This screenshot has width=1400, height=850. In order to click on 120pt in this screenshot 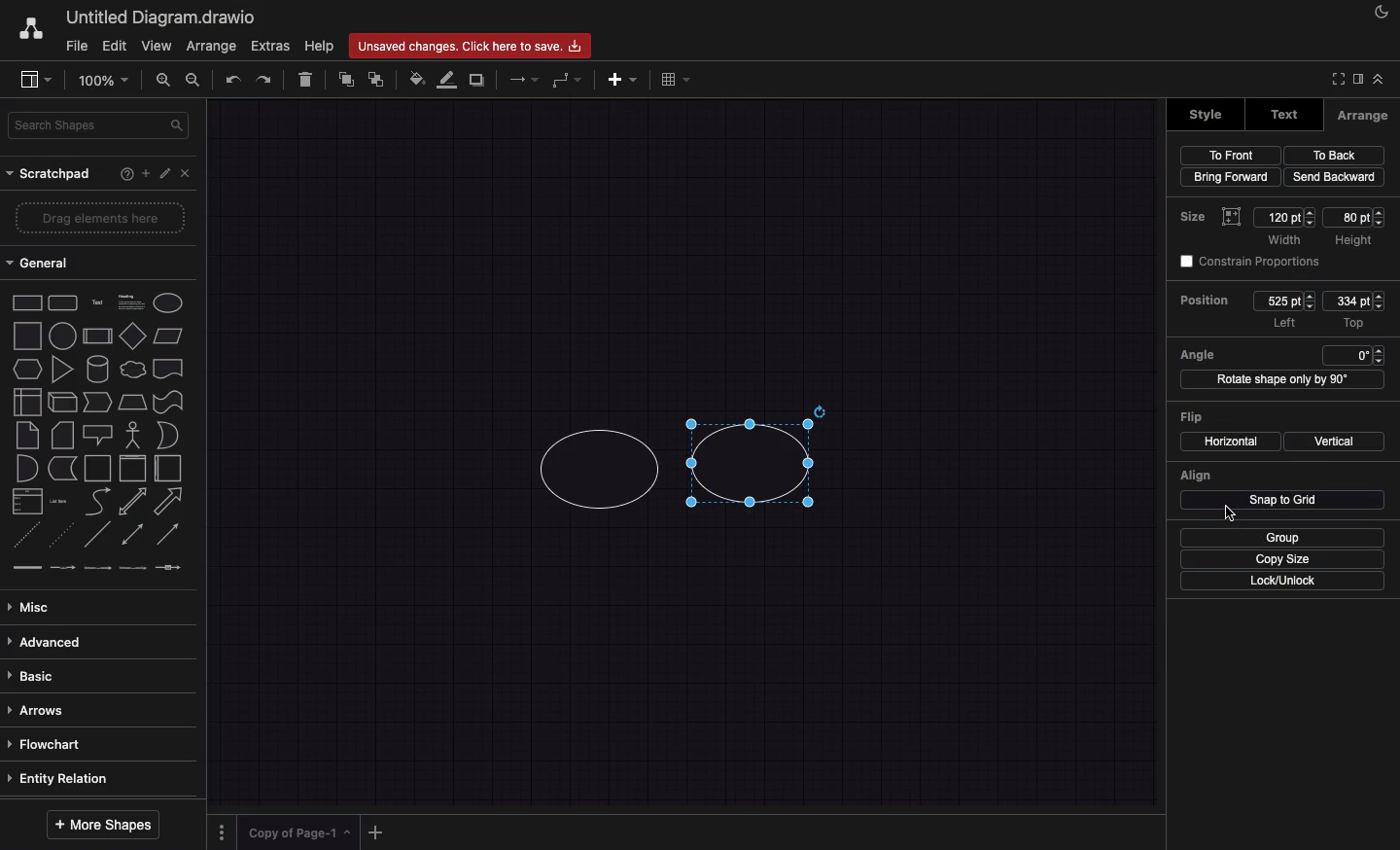, I will do `click(1284, 217)`.